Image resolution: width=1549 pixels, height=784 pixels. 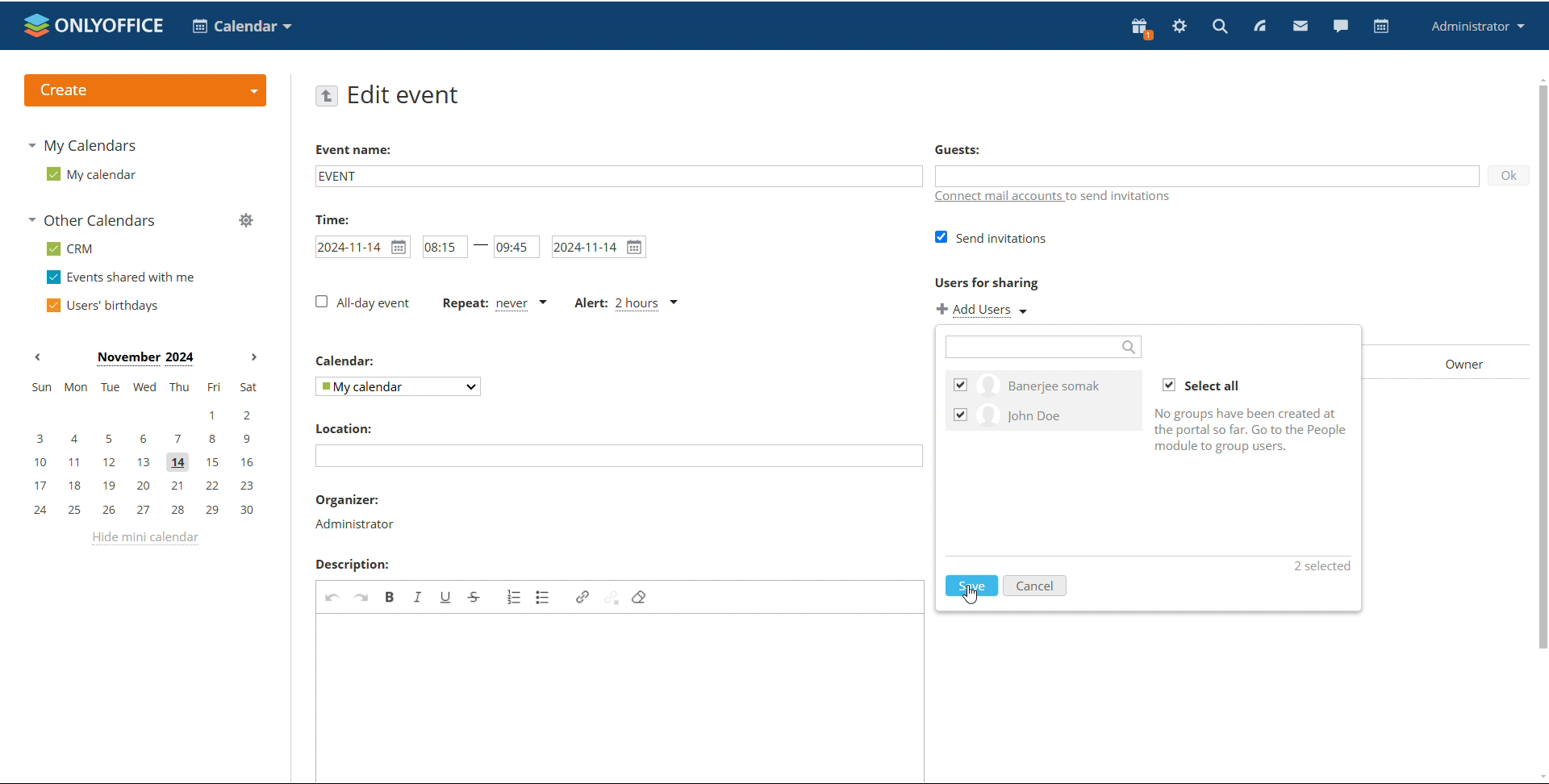 What do you see at coordinates (987, 283) in the screenshot?
I see `Users for sharing` at bounding box center [987, 283].